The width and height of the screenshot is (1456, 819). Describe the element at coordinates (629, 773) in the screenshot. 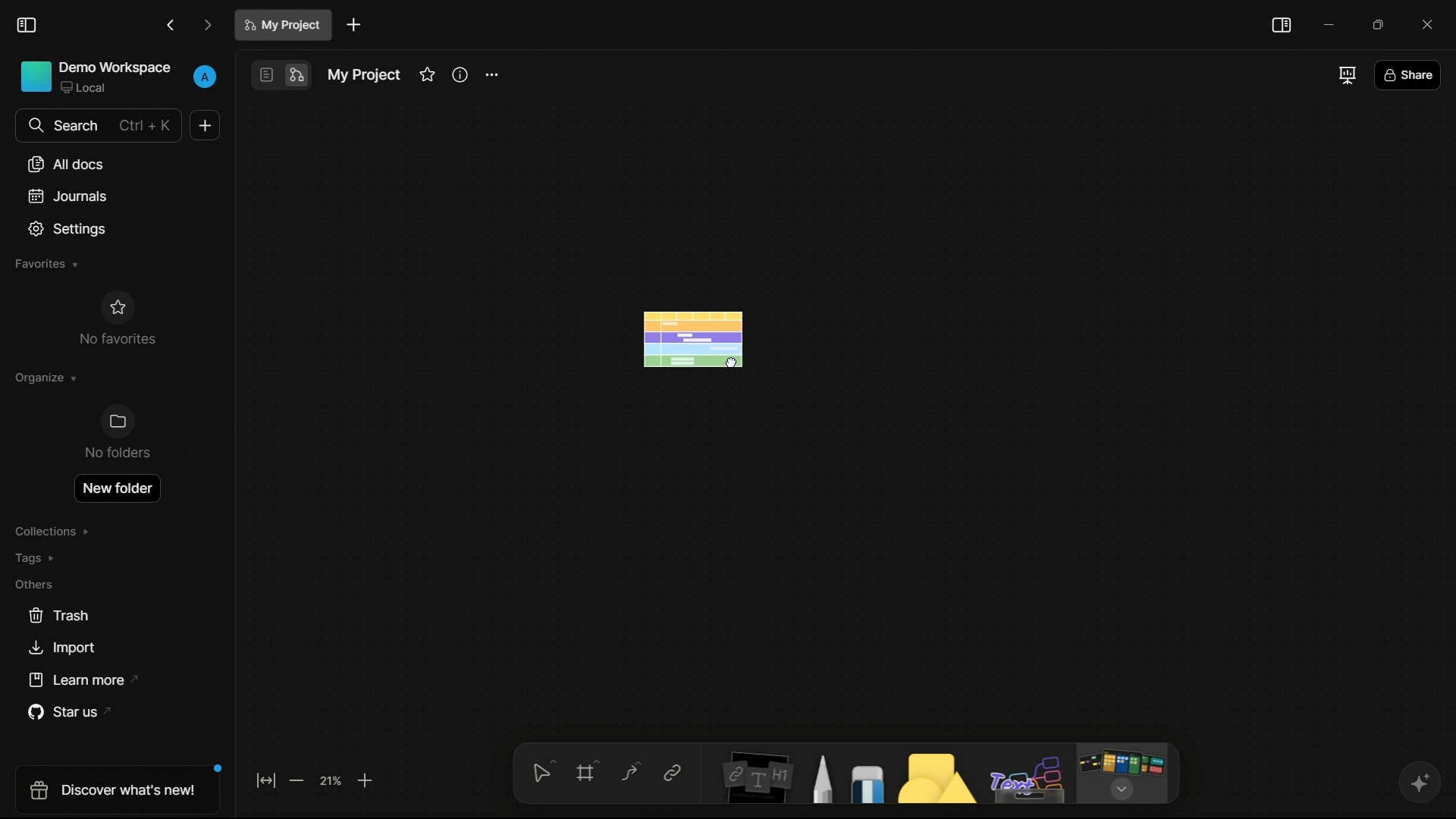

I see `connector` at that location.